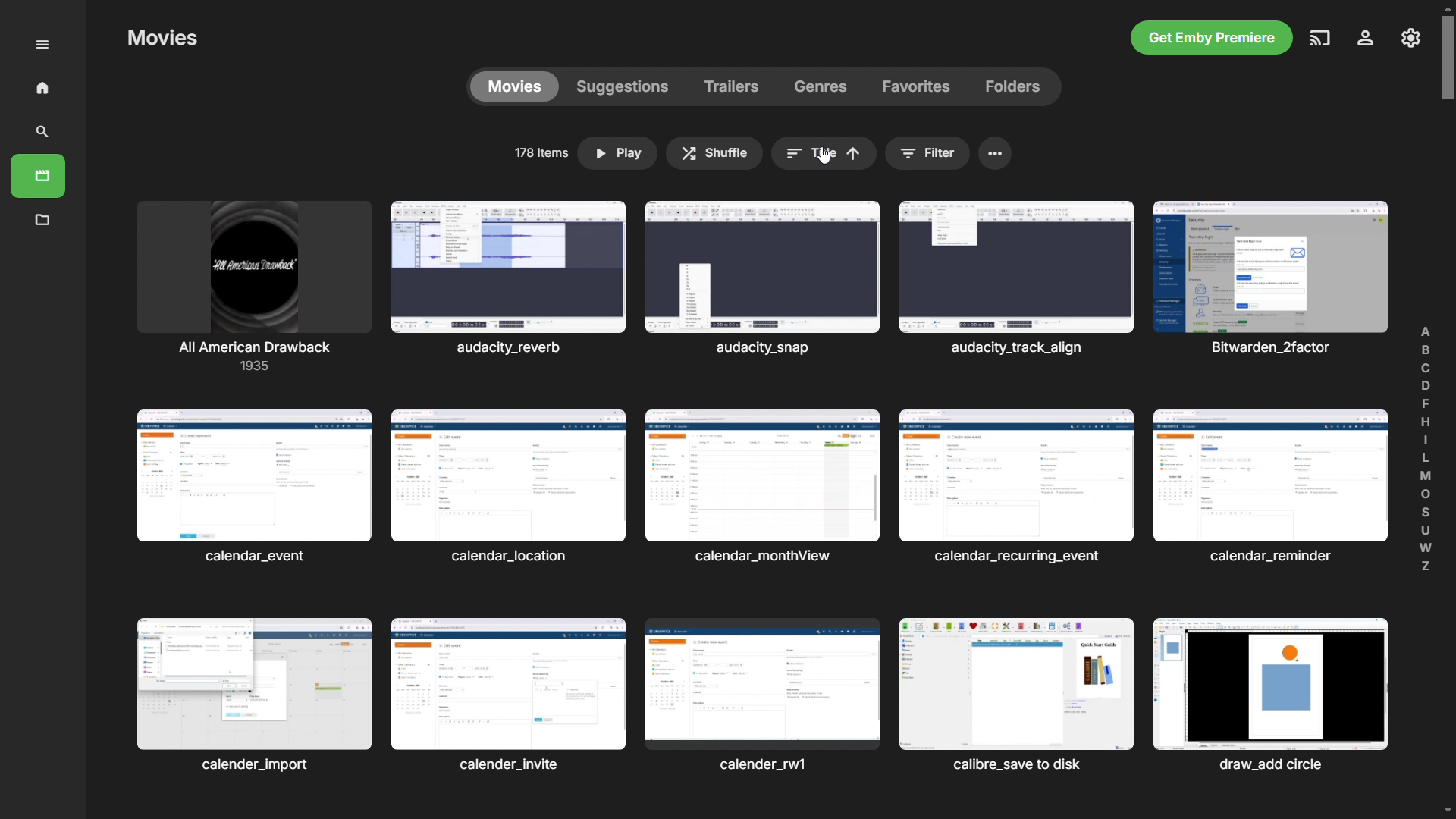  I want to click on sort by, so click(824, 154).